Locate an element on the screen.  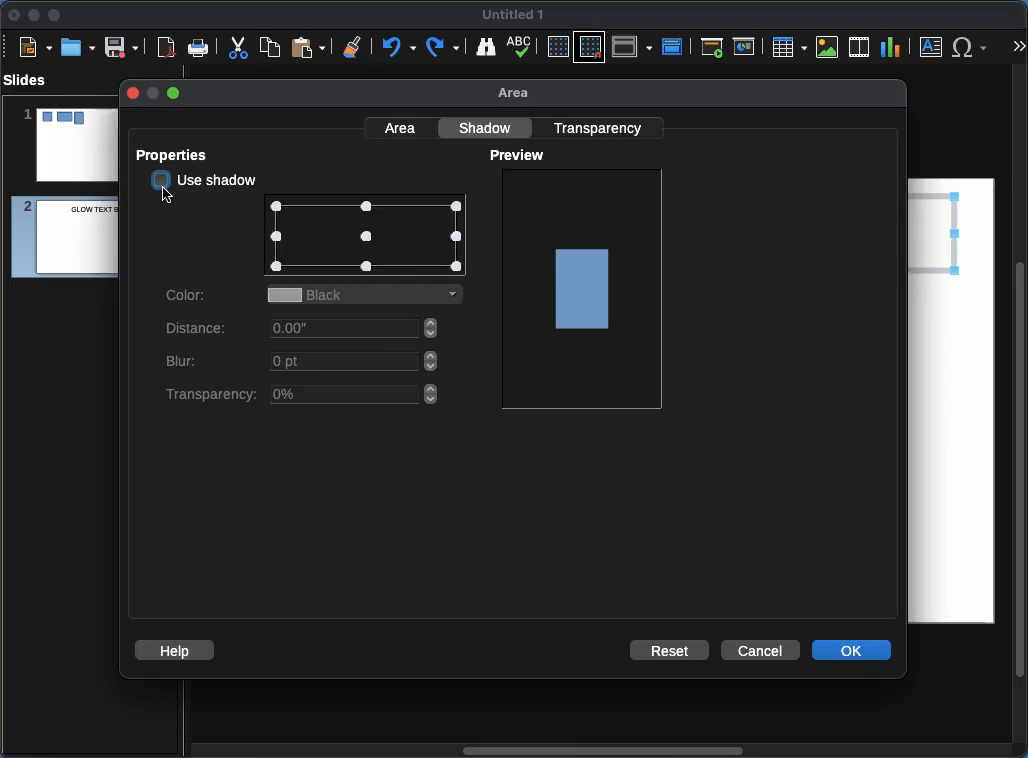
Black is located at coordinates (369, 296).